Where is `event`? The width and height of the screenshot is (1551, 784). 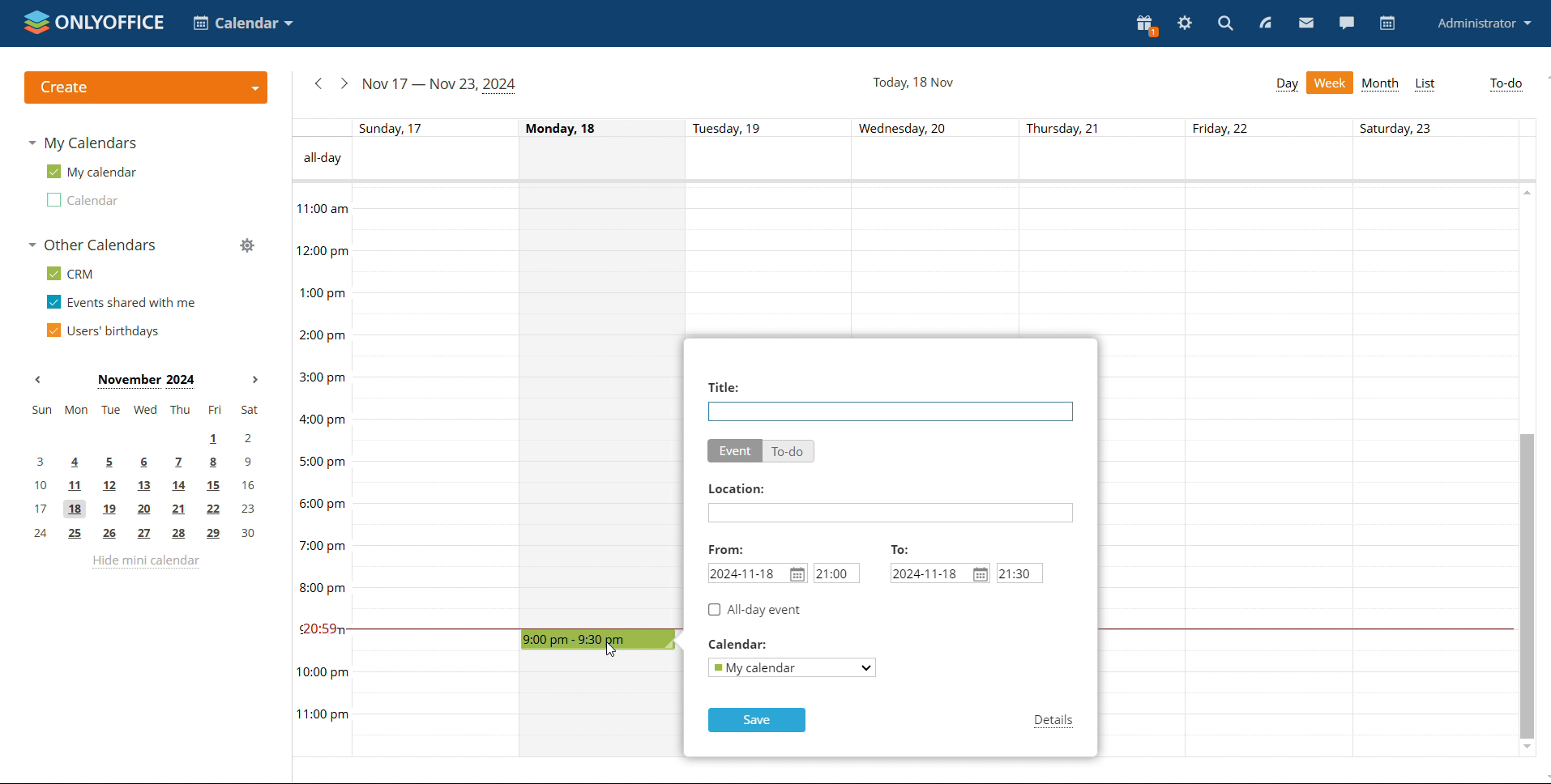 event is located at coordinates (735, 450).